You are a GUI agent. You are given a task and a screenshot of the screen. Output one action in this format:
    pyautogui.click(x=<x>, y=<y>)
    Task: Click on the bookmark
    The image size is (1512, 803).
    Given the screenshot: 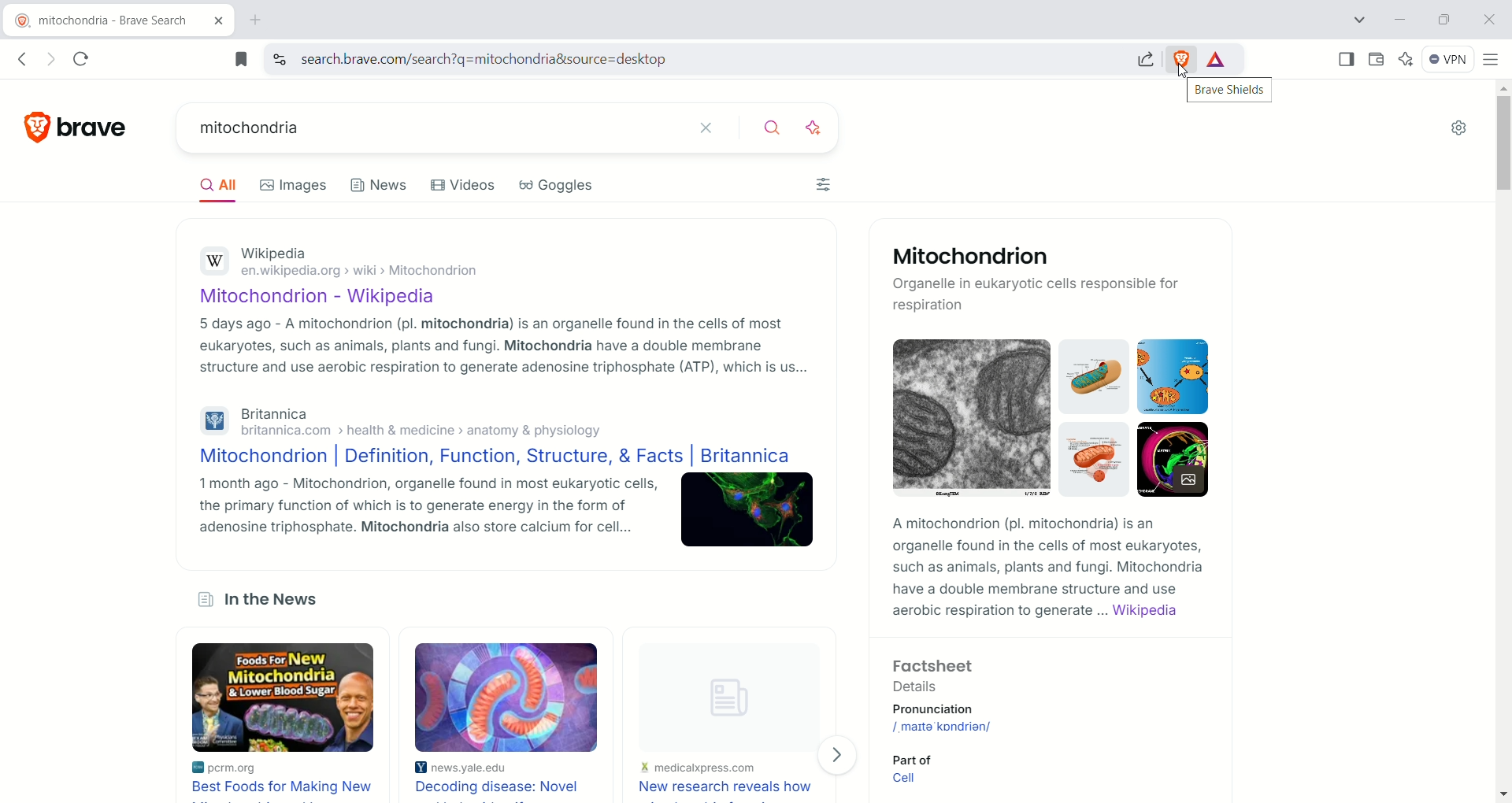 What is the action you would take?
    pyautogui.click(x=240, y=58)
    